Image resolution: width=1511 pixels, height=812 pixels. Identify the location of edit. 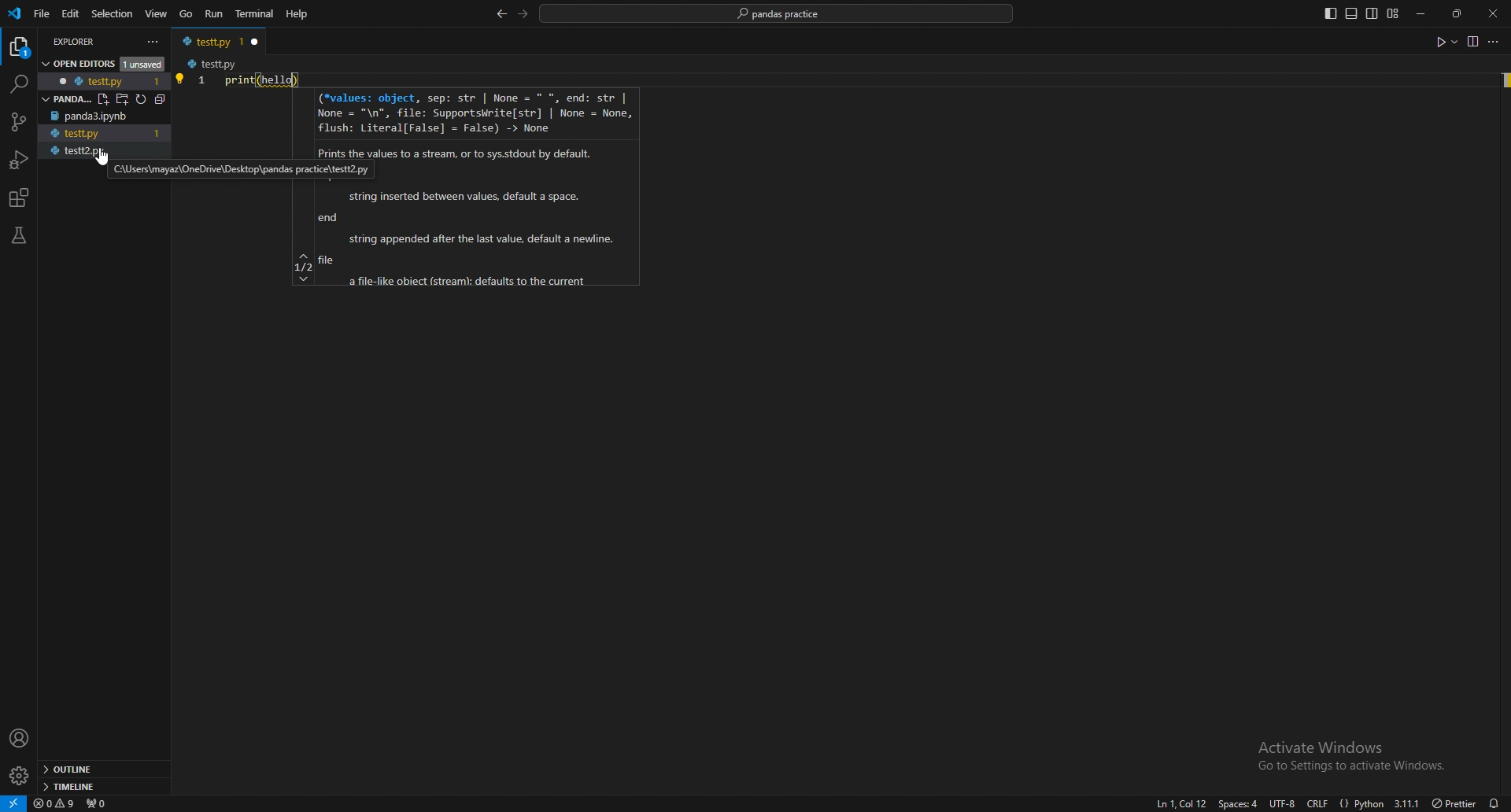
(72, 13).